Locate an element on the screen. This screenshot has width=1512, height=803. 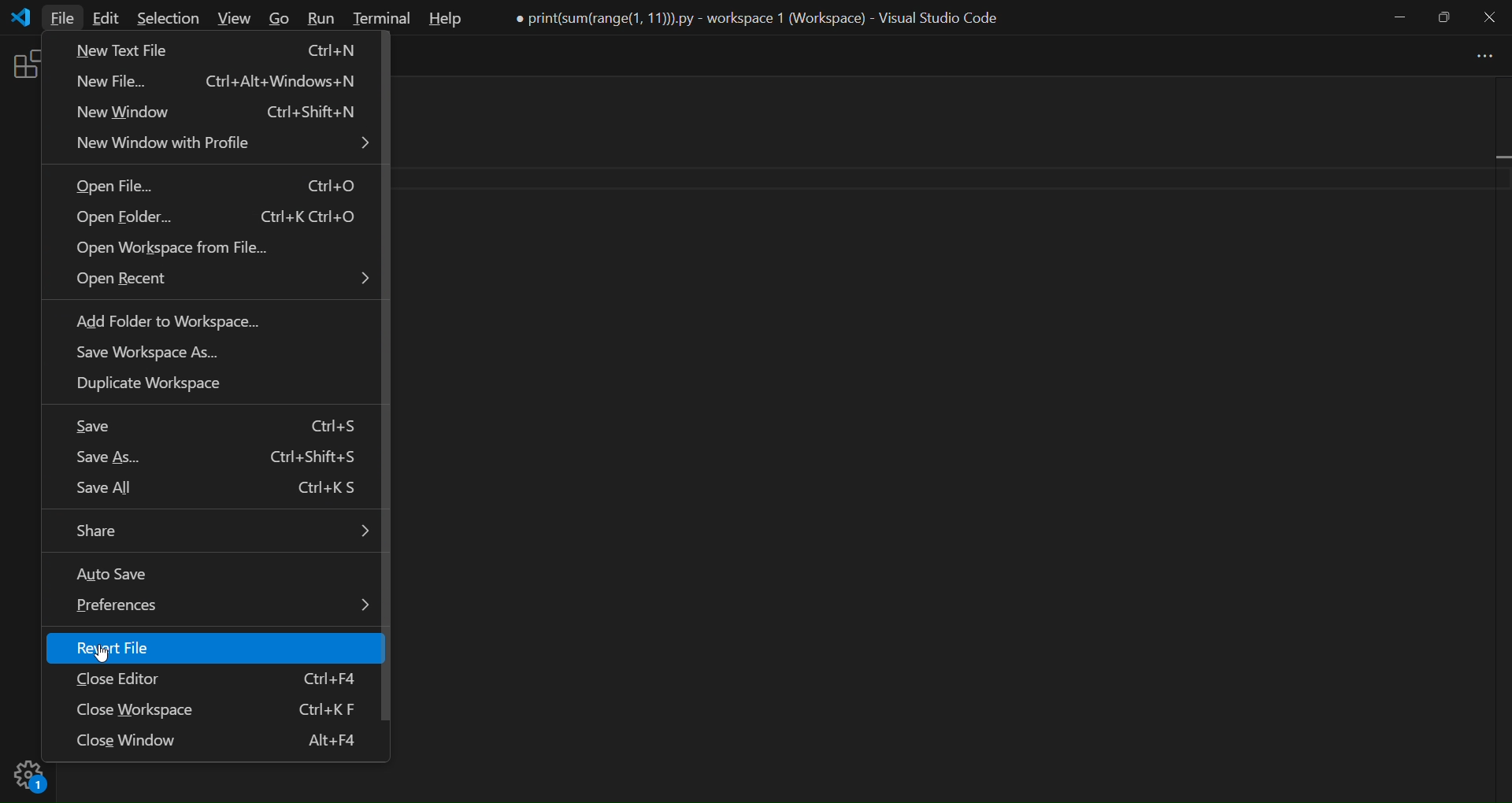
new text file is located at coordinates (217, 50).